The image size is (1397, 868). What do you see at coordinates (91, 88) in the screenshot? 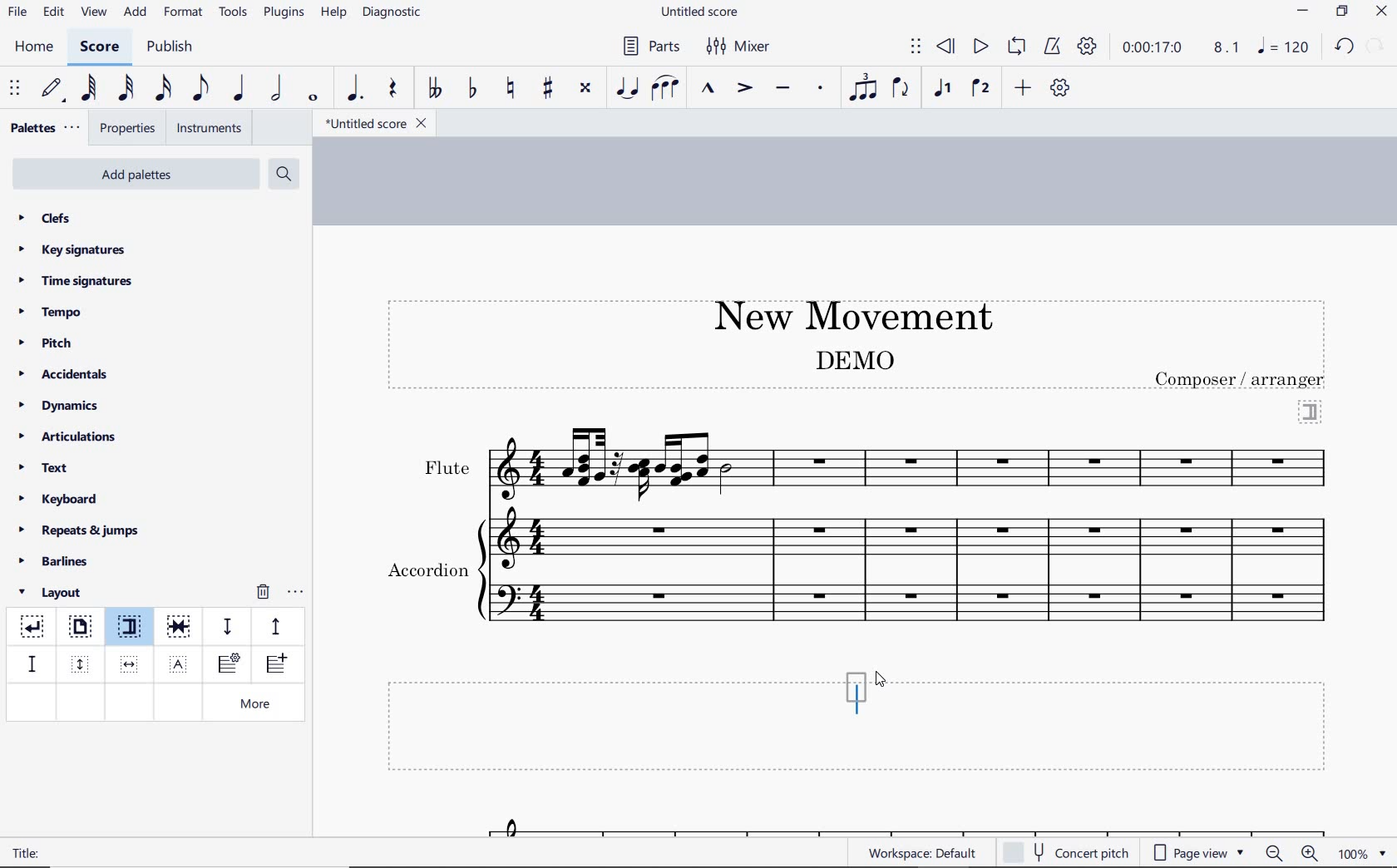
I see `64th note` at bounding box center [91, 88].